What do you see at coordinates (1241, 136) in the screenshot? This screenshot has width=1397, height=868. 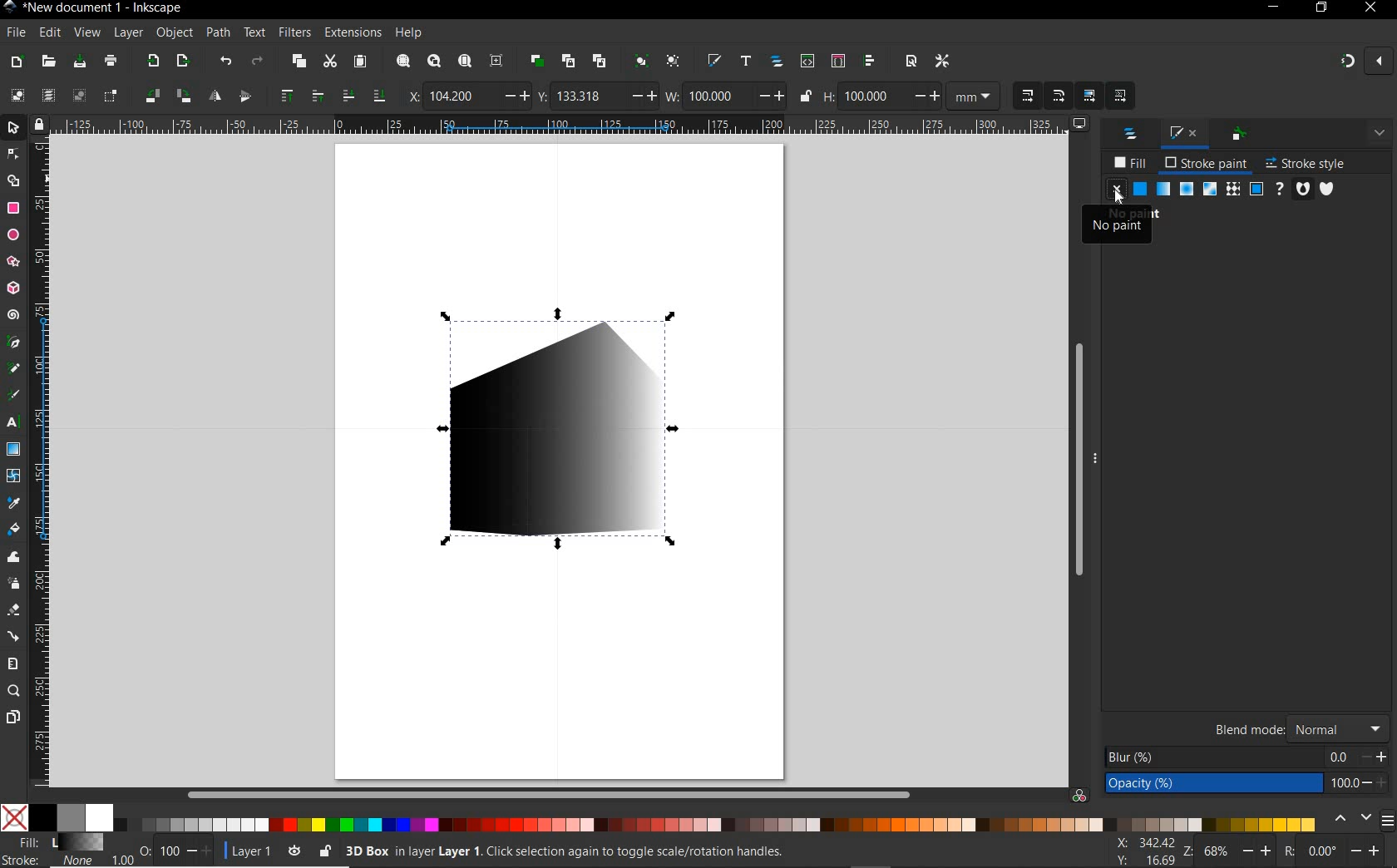 I see `OBJECT PROPERTIES` at bounding box center [1241, 136].